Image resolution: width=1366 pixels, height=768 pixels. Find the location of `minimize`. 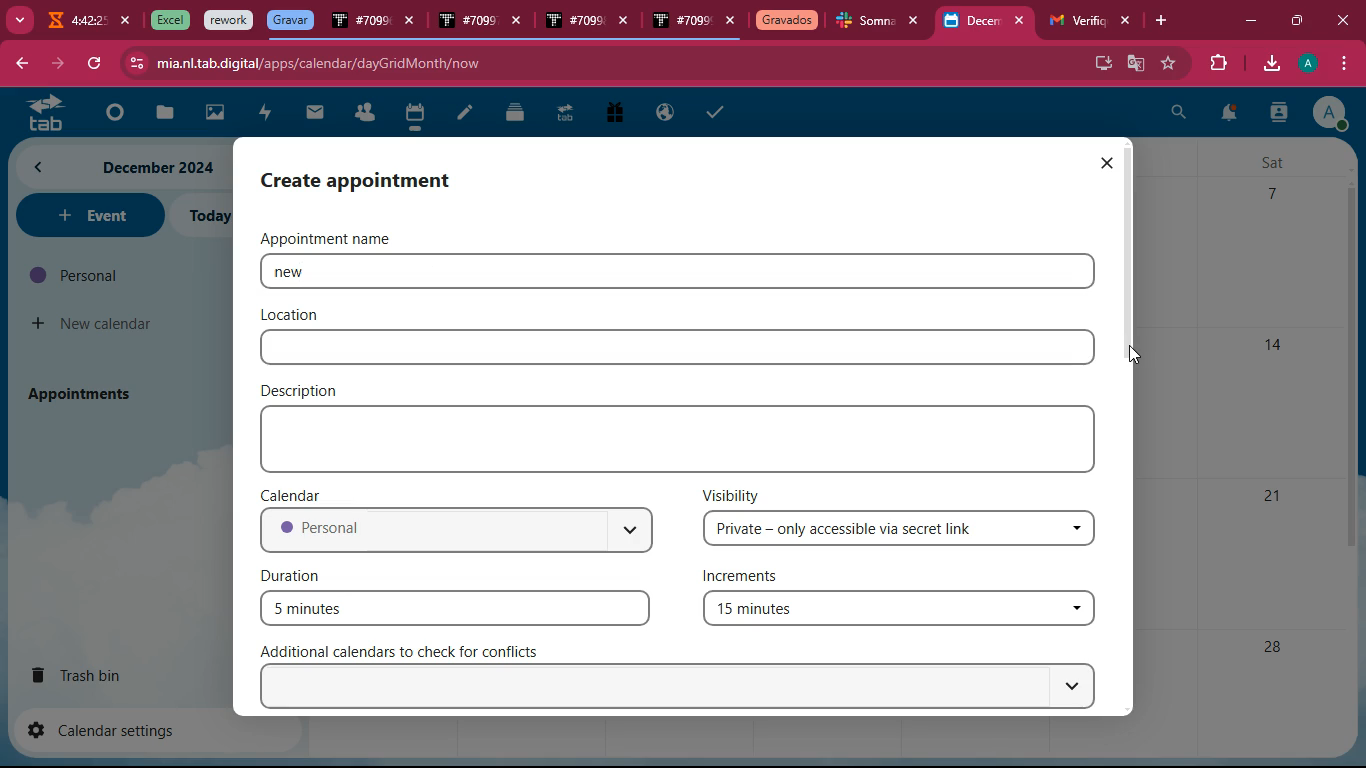

minimize is located at coordinates (1250, 22).